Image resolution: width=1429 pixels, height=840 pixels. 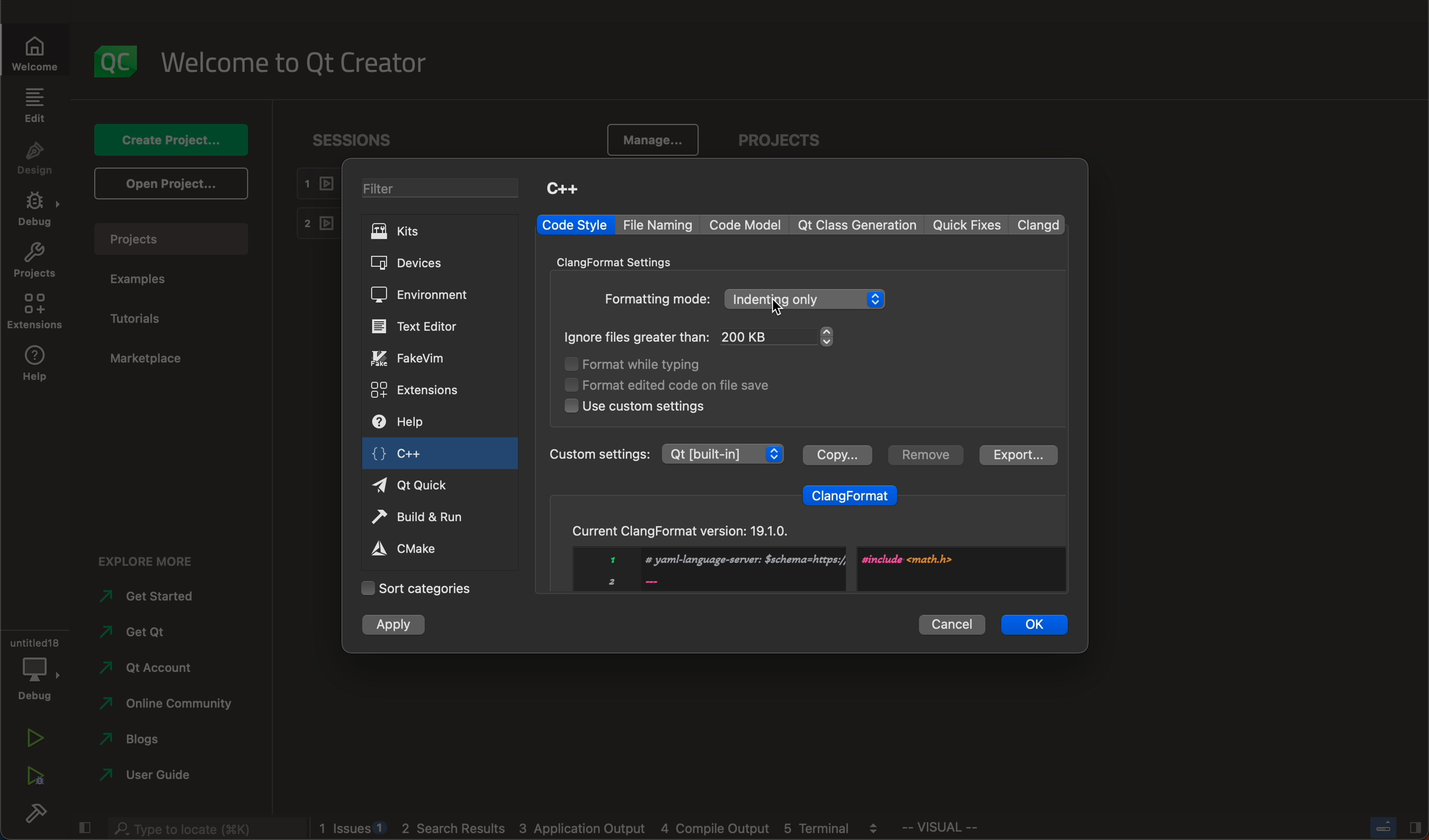 What do you see at coordinates (416, 588) in the screenshot?
I see `categories` at bounding box center [416, 588].